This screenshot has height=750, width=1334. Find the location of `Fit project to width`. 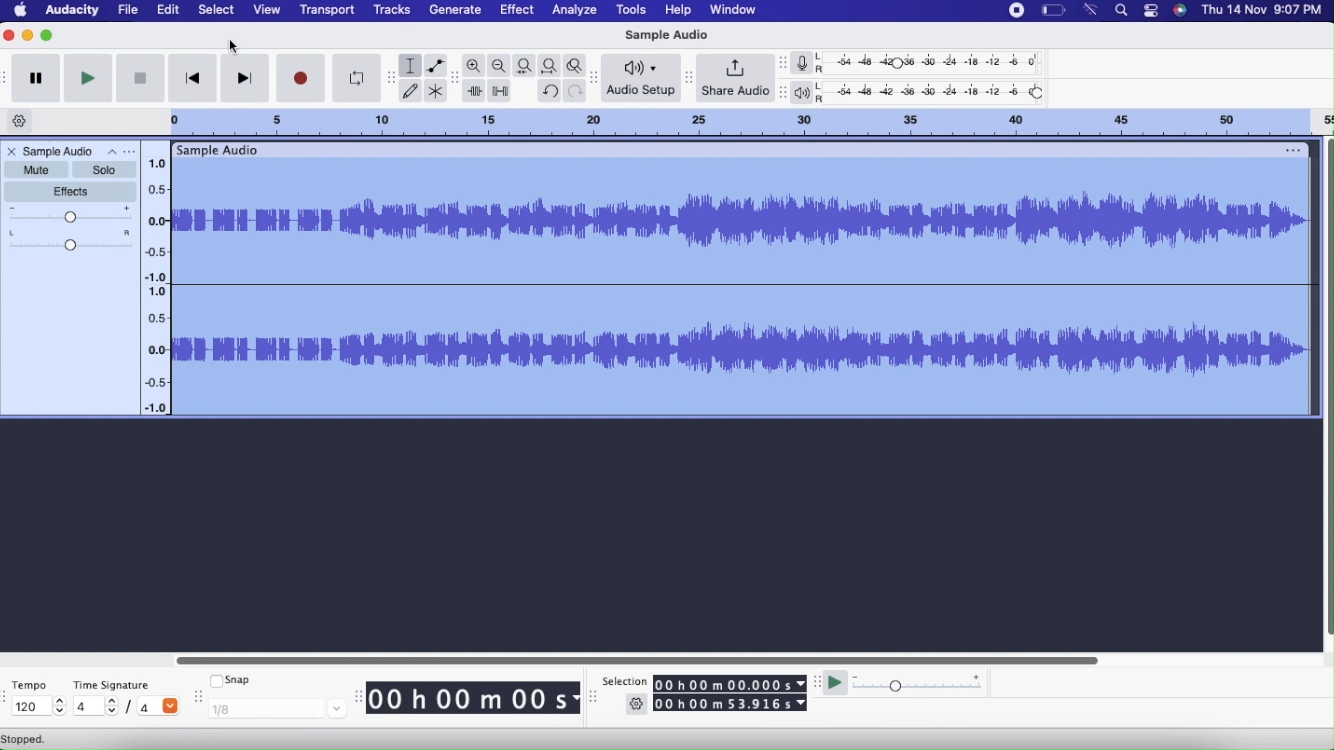

Fit project to width is located at coordinates (550, 66).